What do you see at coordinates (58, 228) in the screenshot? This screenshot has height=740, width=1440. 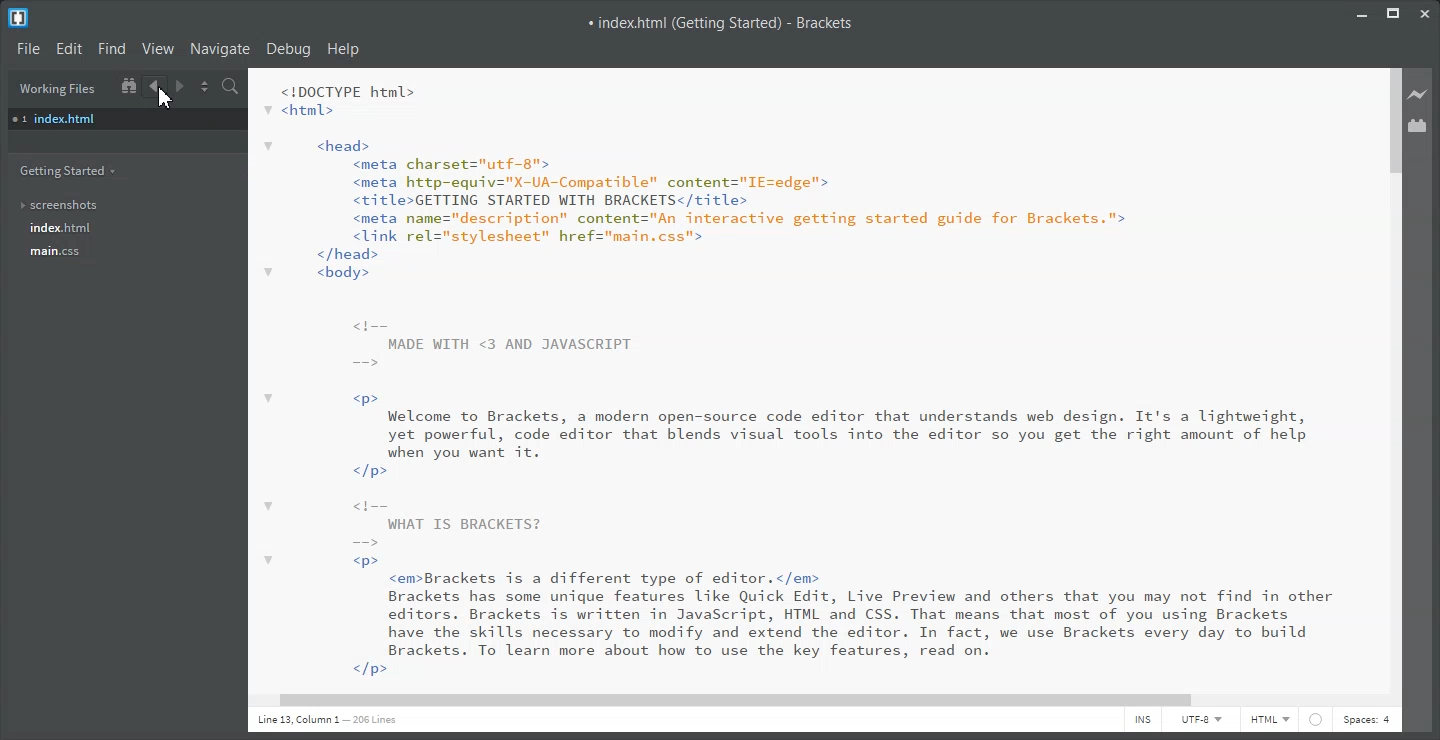 I see `index.html` at bounding box center [58, 228].